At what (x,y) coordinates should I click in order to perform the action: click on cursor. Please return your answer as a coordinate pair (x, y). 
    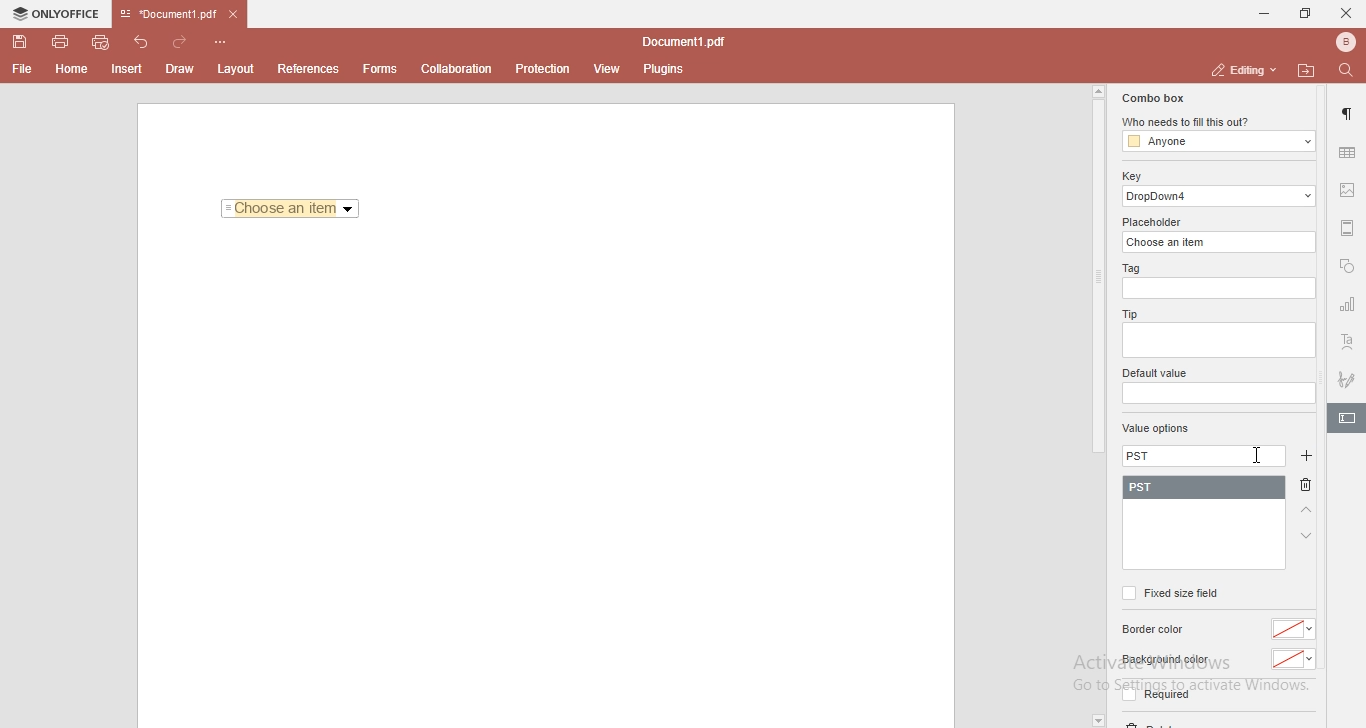
    Looking at the image, I should click on (1259, 454).